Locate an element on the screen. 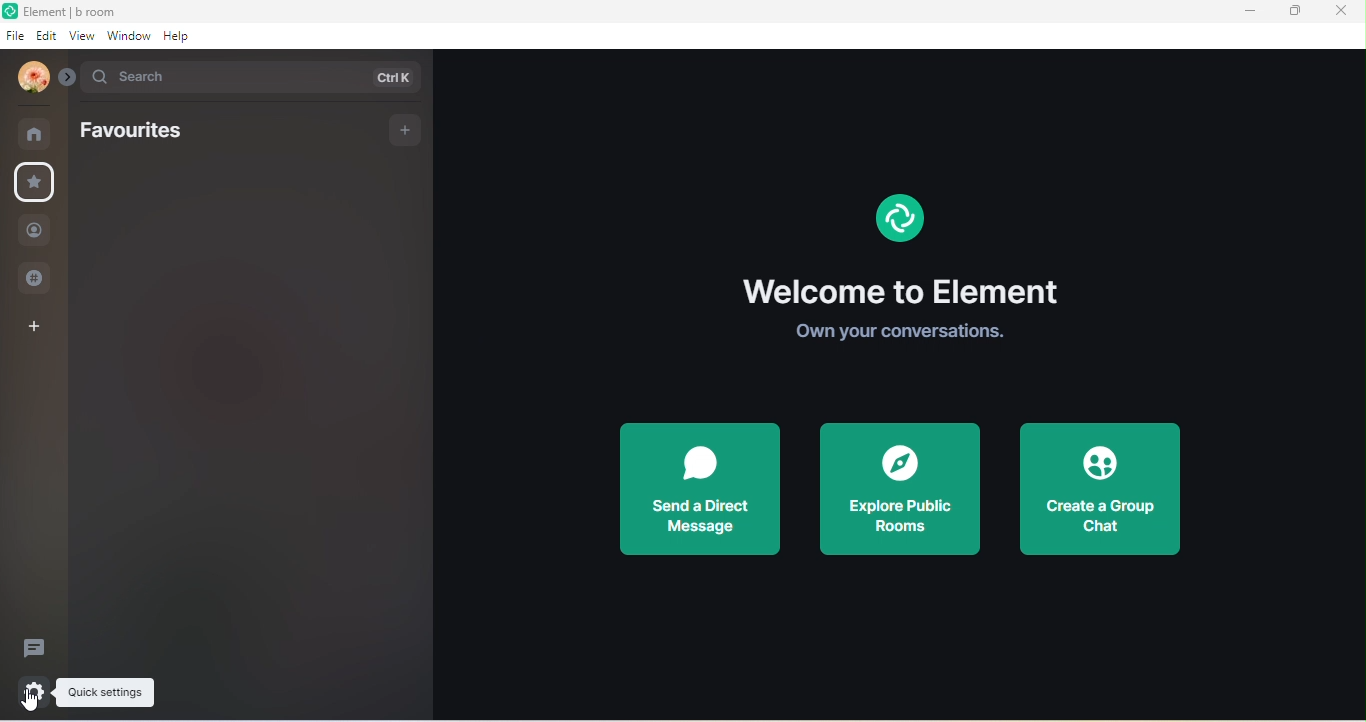 The width and height of the screenshot is (1366, 722). explore public rooms is located at coordinates (902, 489).